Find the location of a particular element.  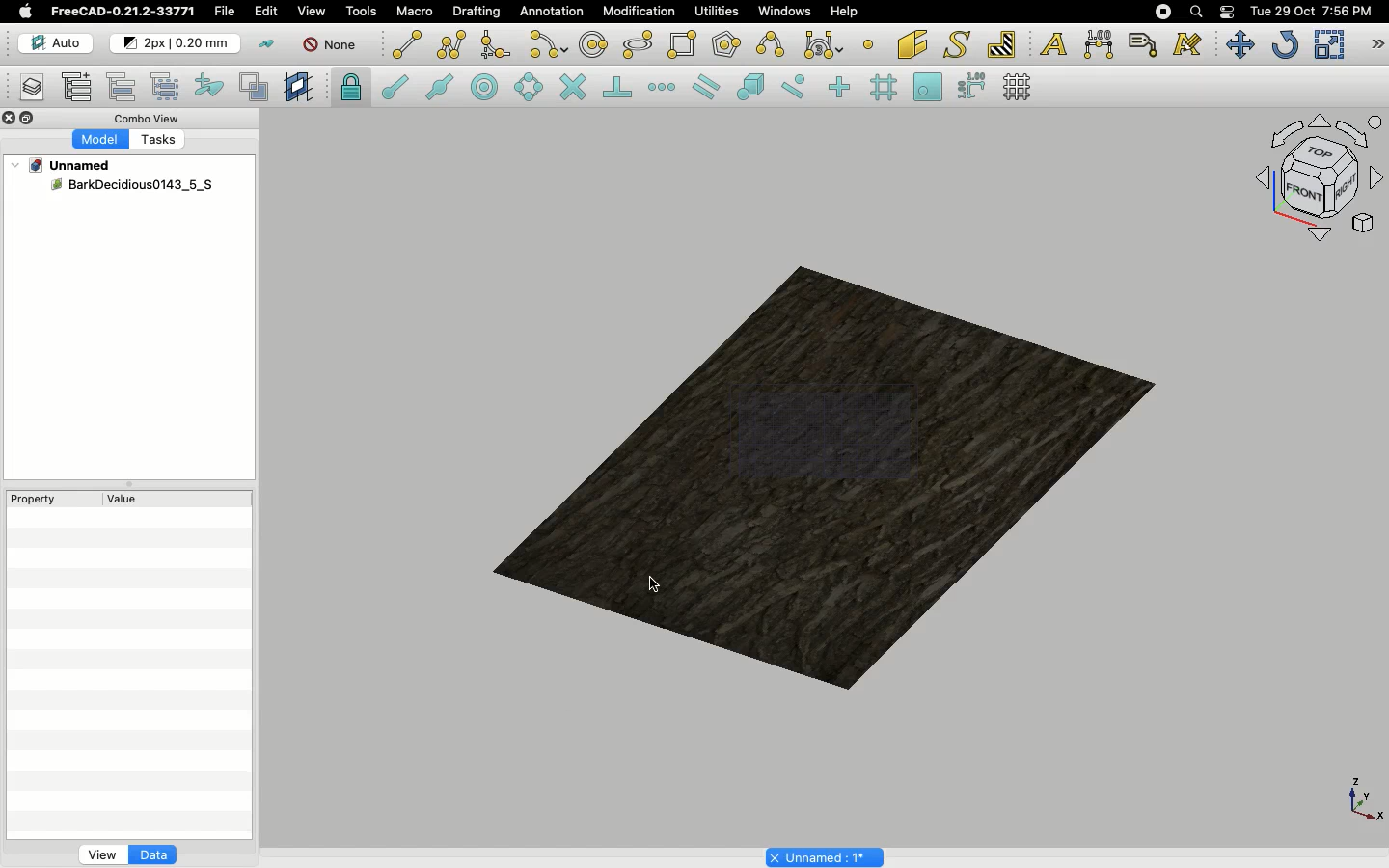

Snap extension is located at coordinates (664, 88).